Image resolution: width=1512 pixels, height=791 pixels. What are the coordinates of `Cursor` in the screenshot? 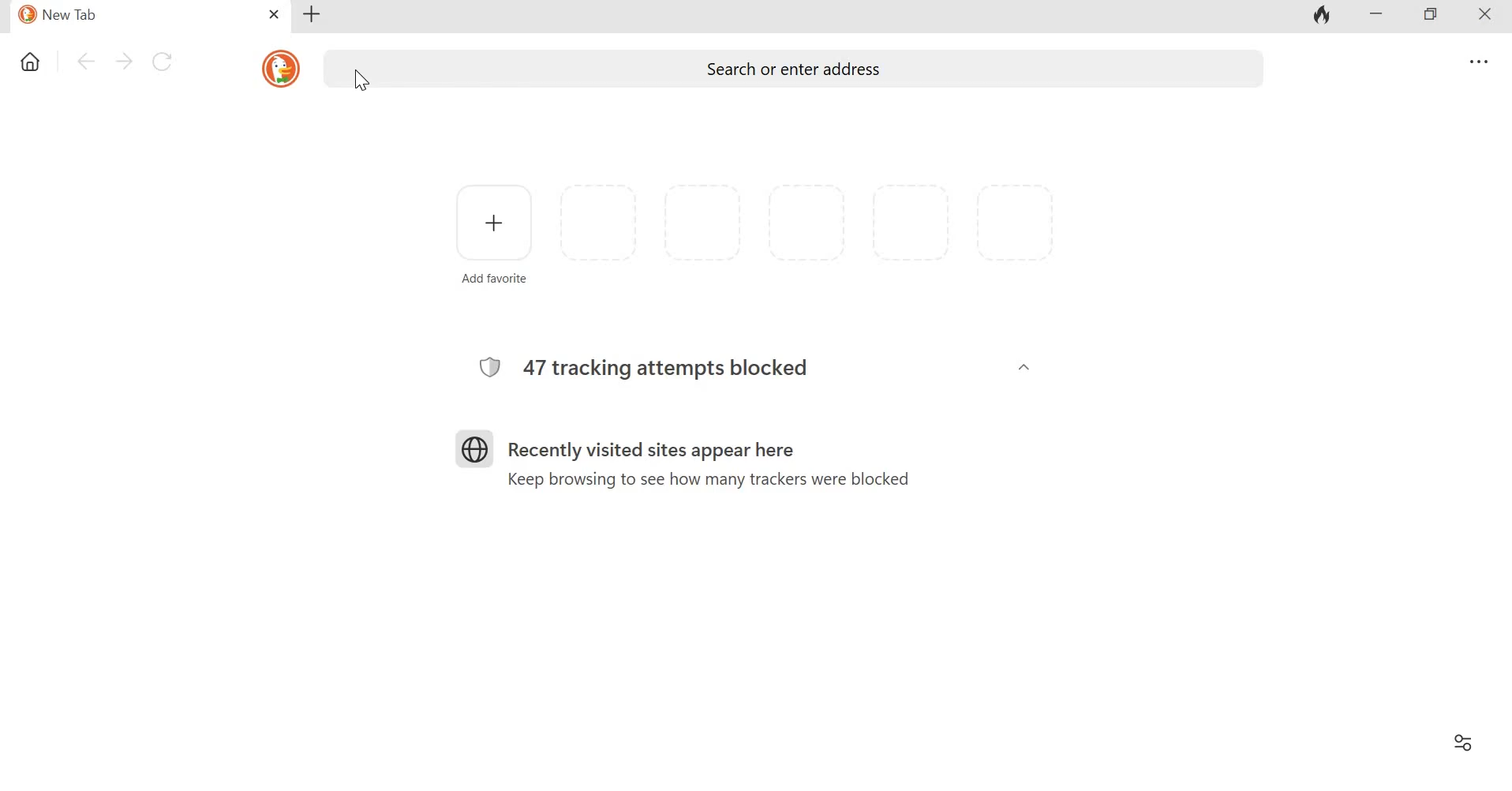 It's located at (364, 84).